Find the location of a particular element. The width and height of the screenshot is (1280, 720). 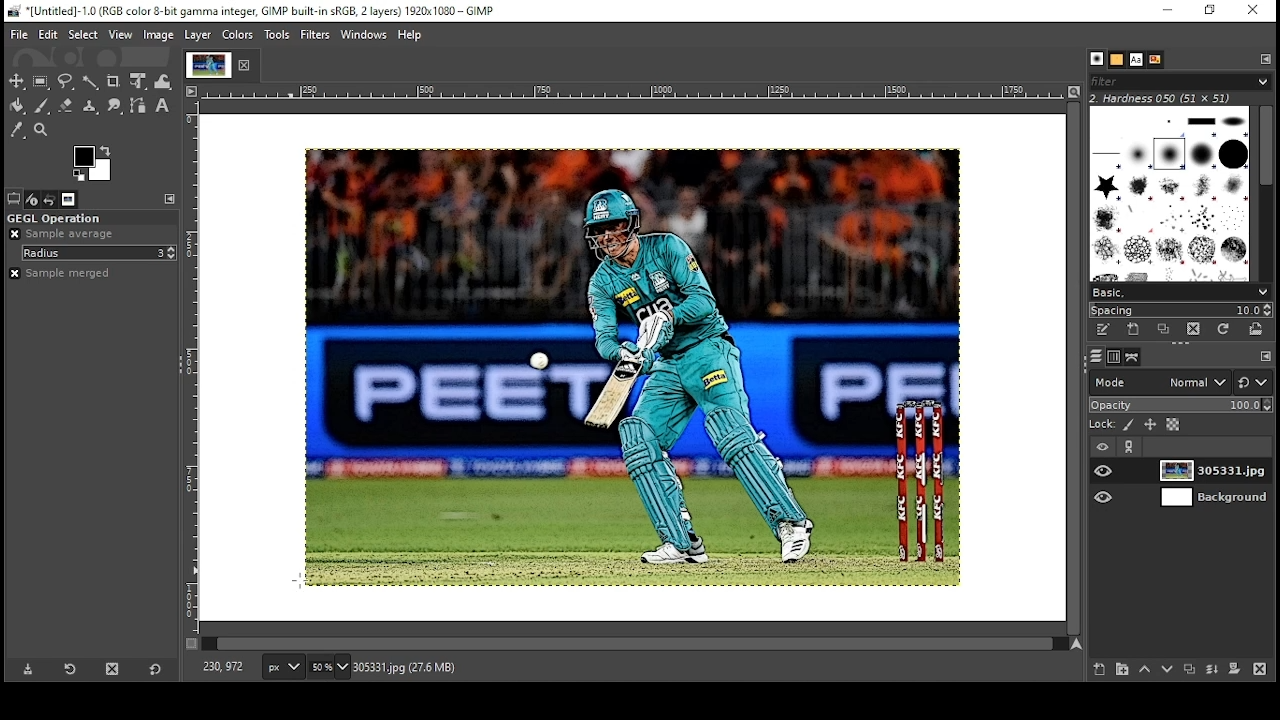

scroll bar is located at coordinates (1264, 194).